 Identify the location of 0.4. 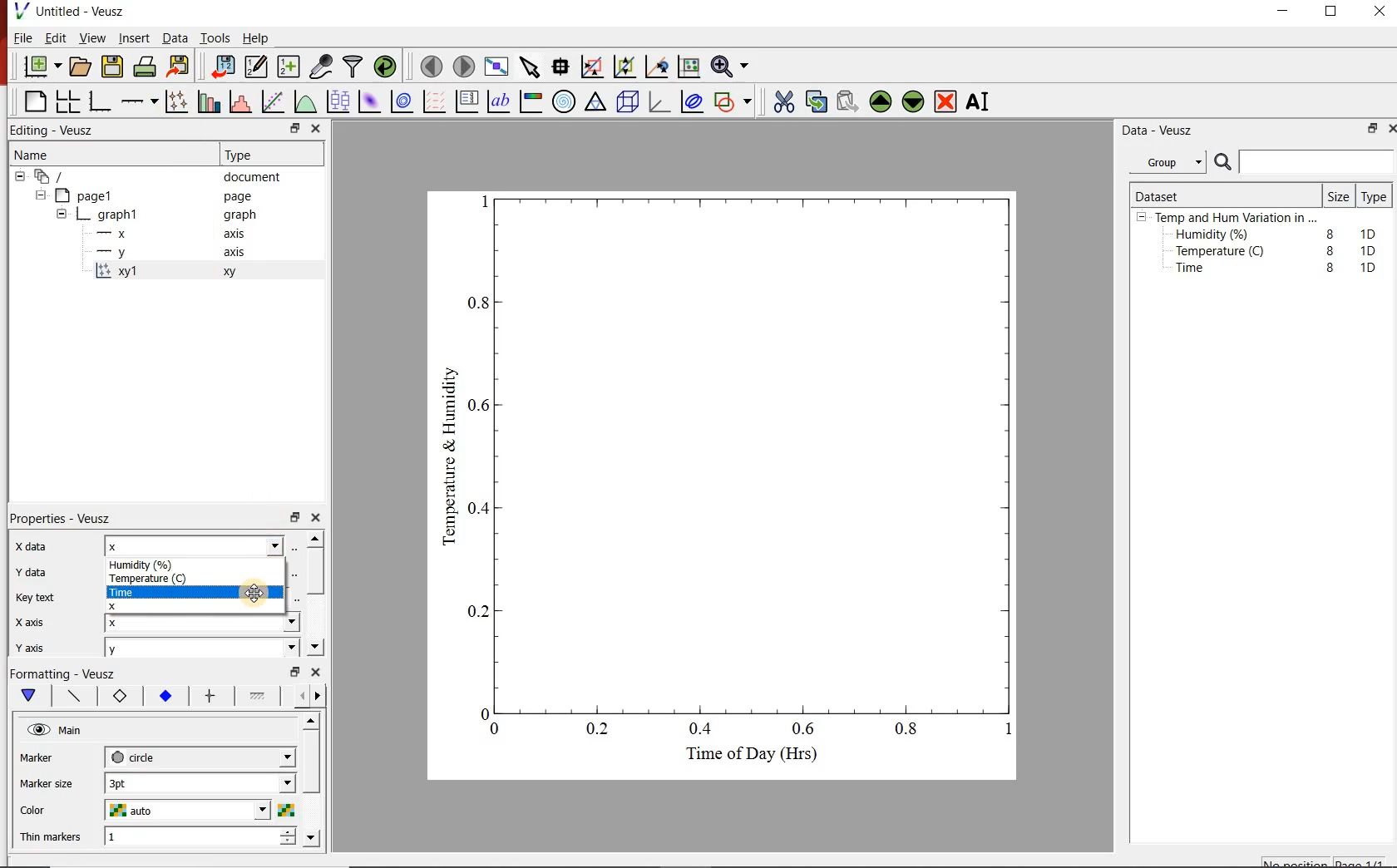
(703, 730).